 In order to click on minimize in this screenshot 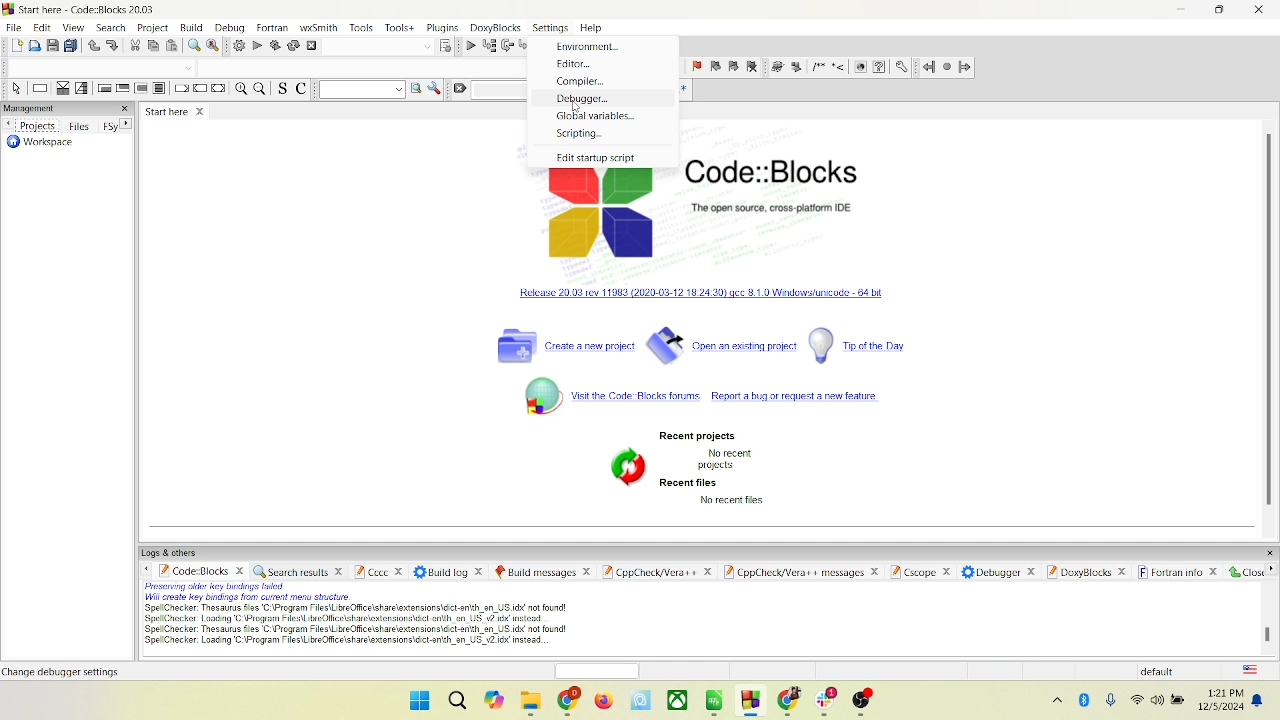, I will do `click(1180, 11)`.